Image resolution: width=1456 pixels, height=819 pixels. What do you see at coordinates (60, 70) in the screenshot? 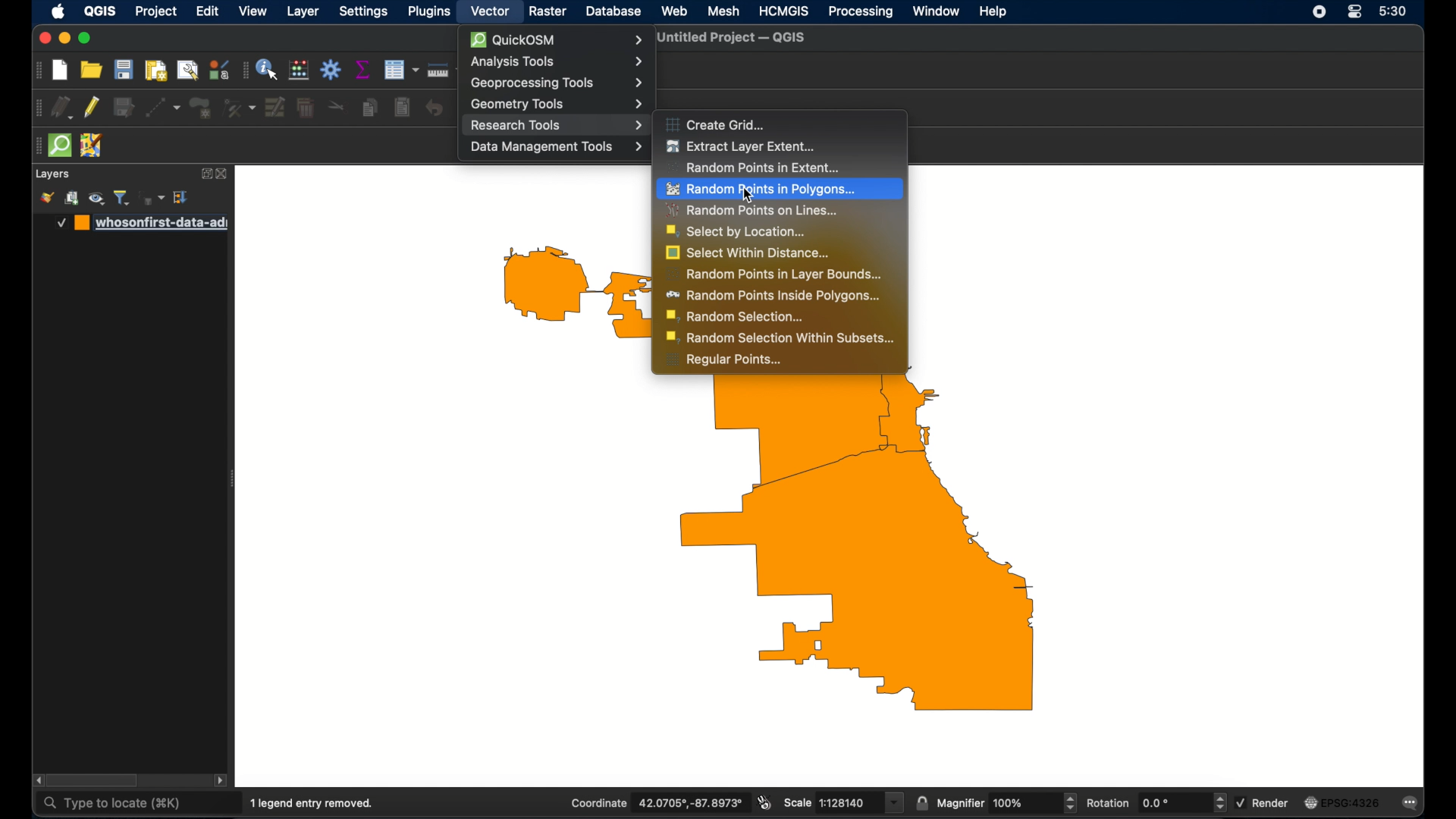
I see `new project` at bounding box center [60, 70].